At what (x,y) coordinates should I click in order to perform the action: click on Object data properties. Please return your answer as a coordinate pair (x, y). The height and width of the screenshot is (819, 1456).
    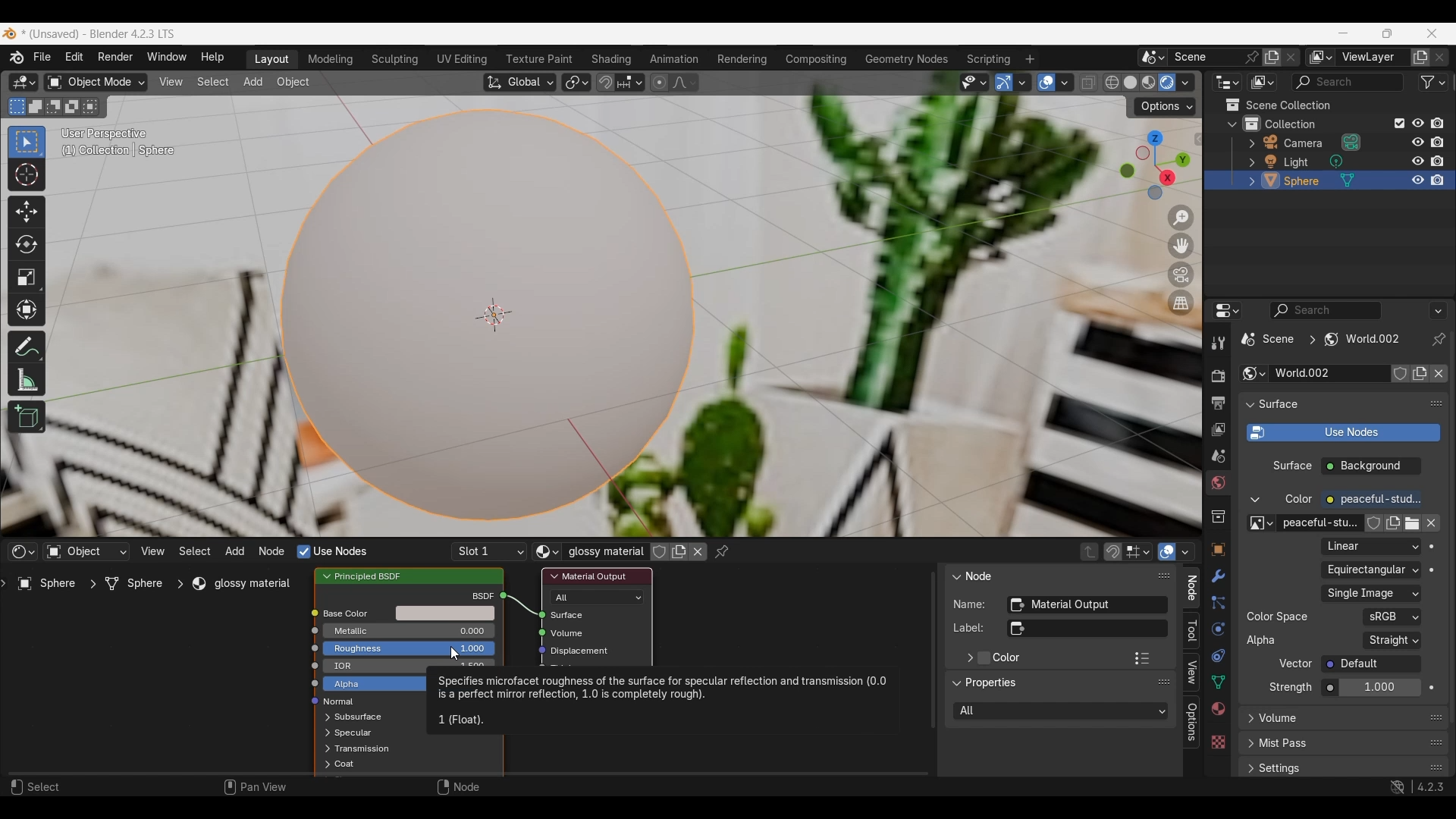
    Looking at the image, I should click on (1217, 682).